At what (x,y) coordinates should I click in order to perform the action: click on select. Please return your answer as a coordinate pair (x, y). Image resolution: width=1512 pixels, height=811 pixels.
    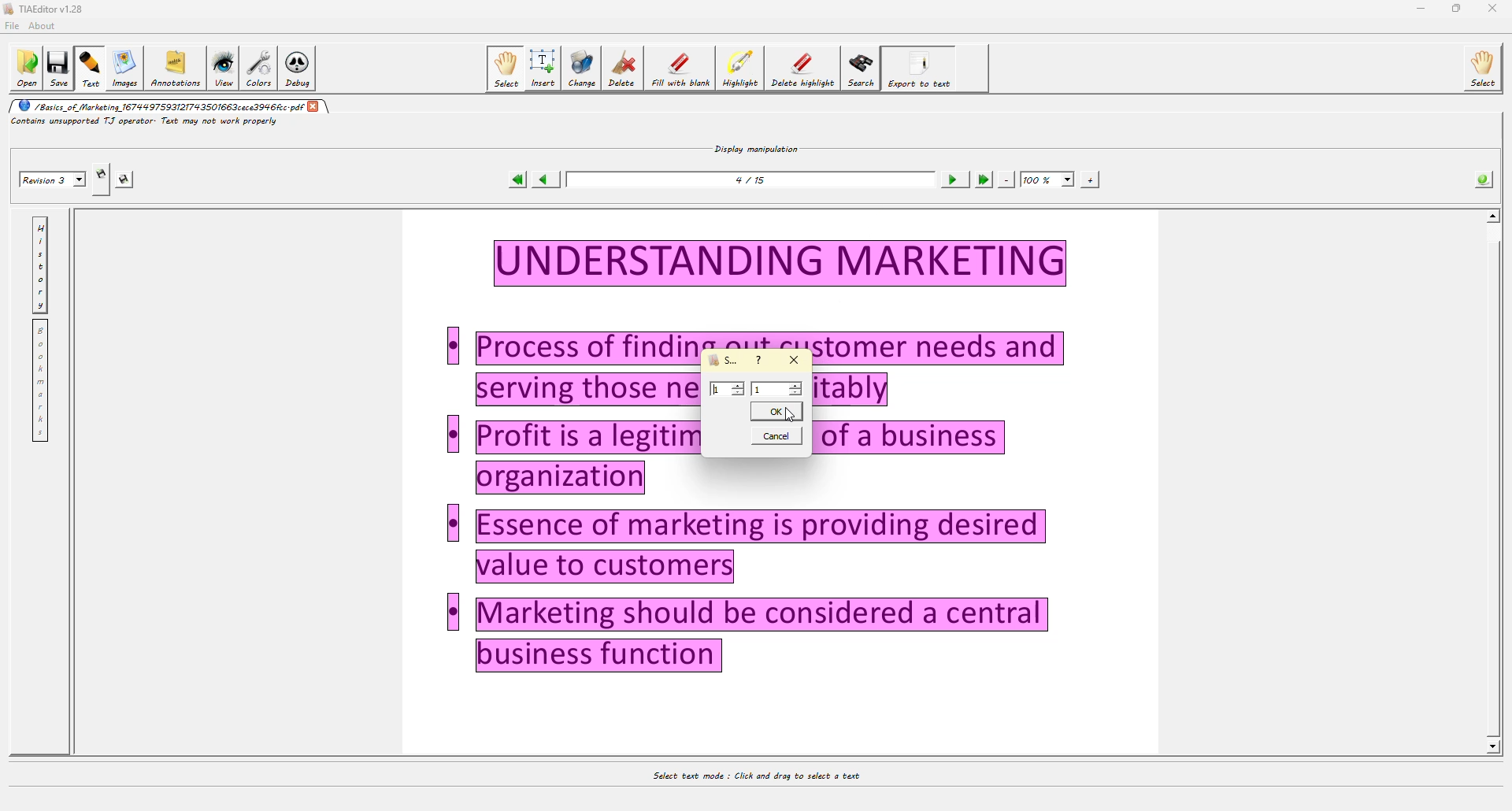
    Looking at the image, I should click on (504, 69).